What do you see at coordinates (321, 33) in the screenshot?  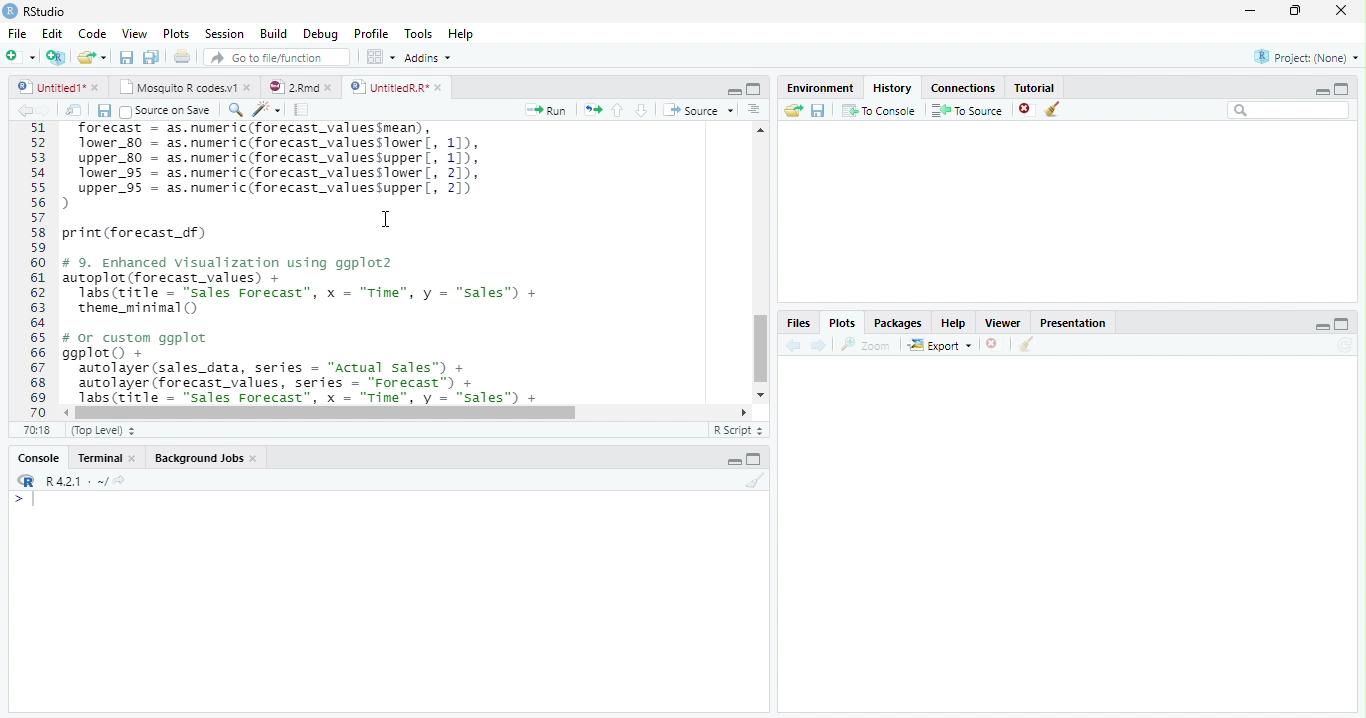 I see `Debug` at bounding box center [321, 33].